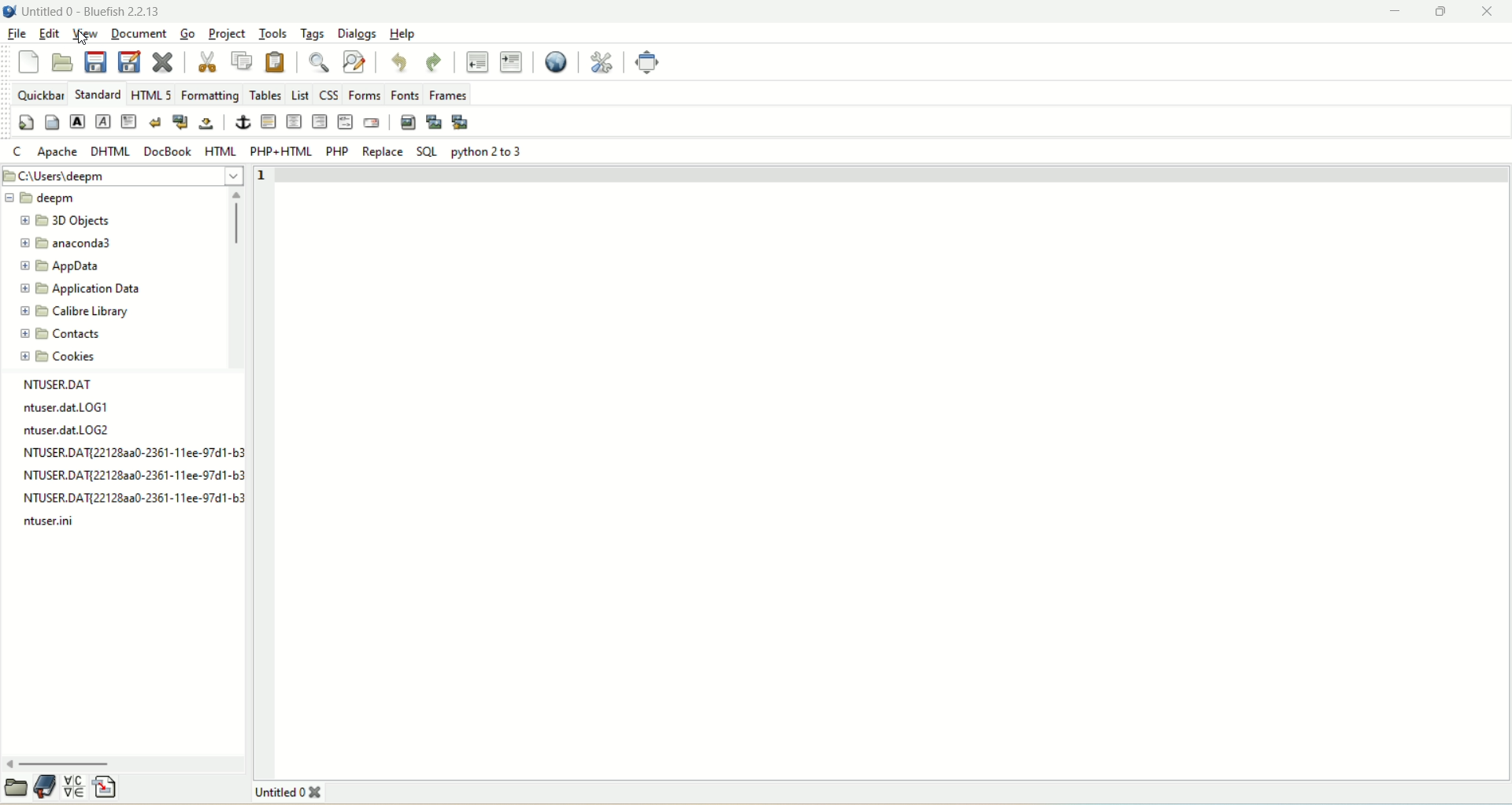  I want to click on unindent, so click(476, 63).